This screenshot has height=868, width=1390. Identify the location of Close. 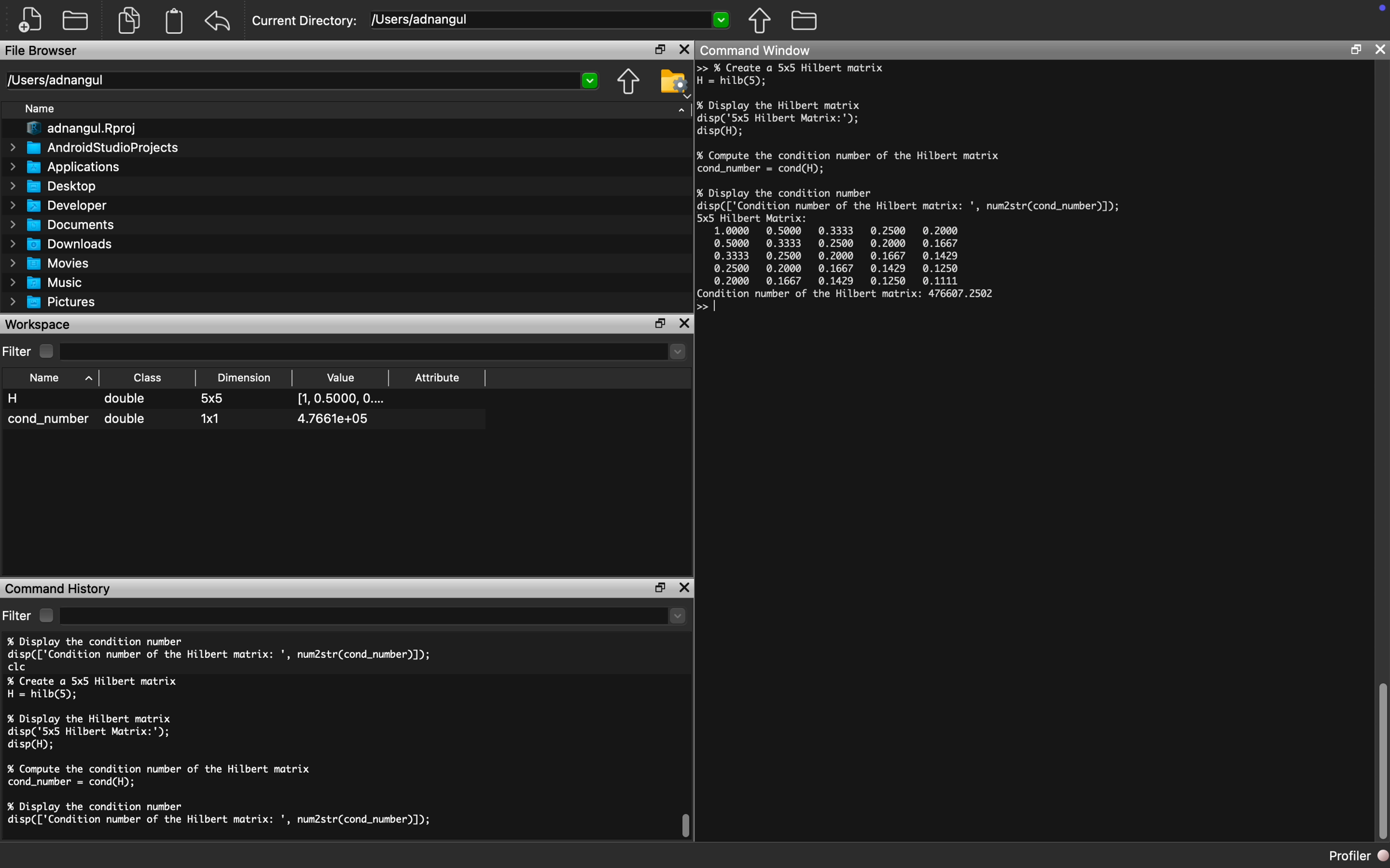
(684, 590).